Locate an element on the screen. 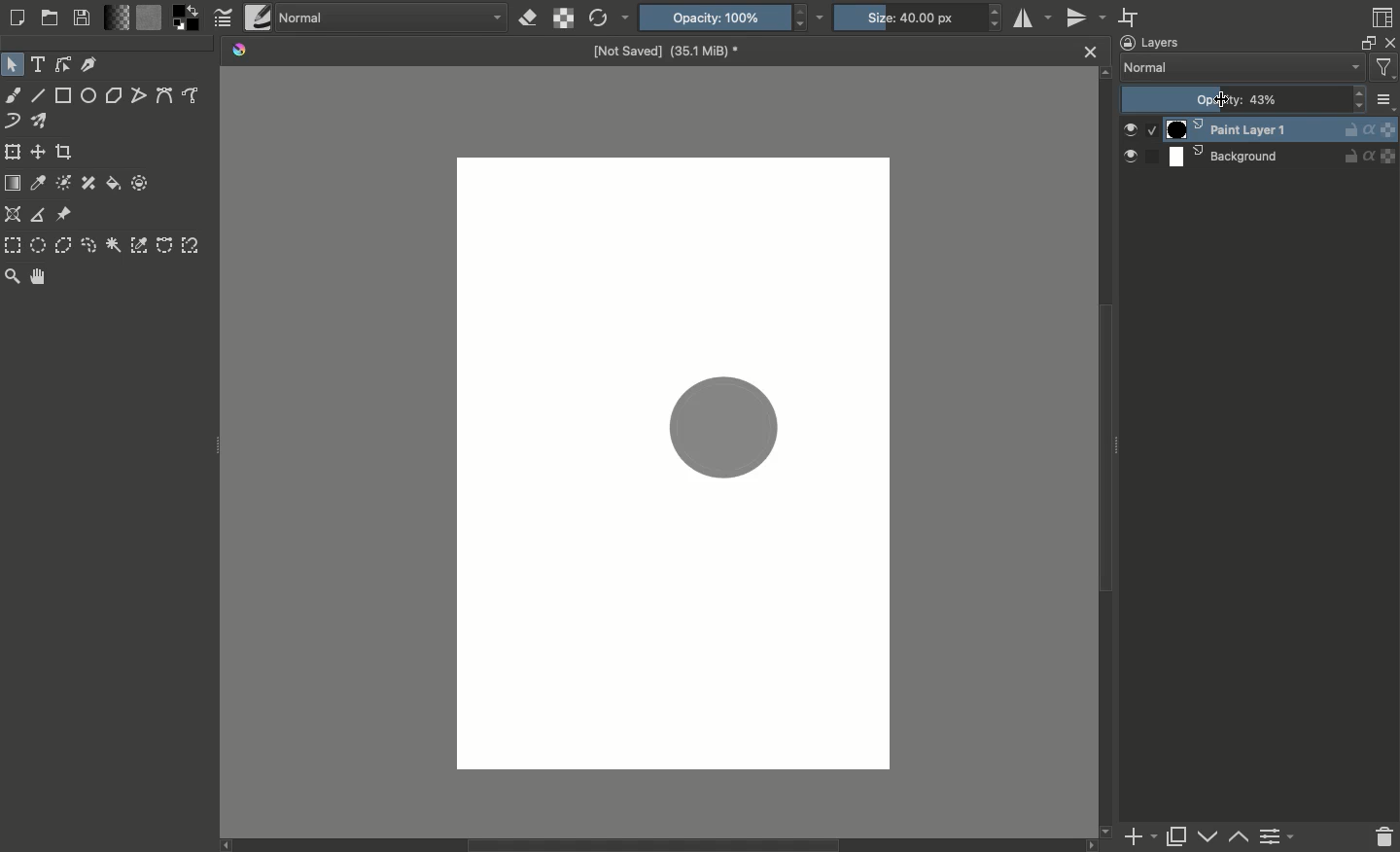  Delete is located at coordinates (1382, 837).